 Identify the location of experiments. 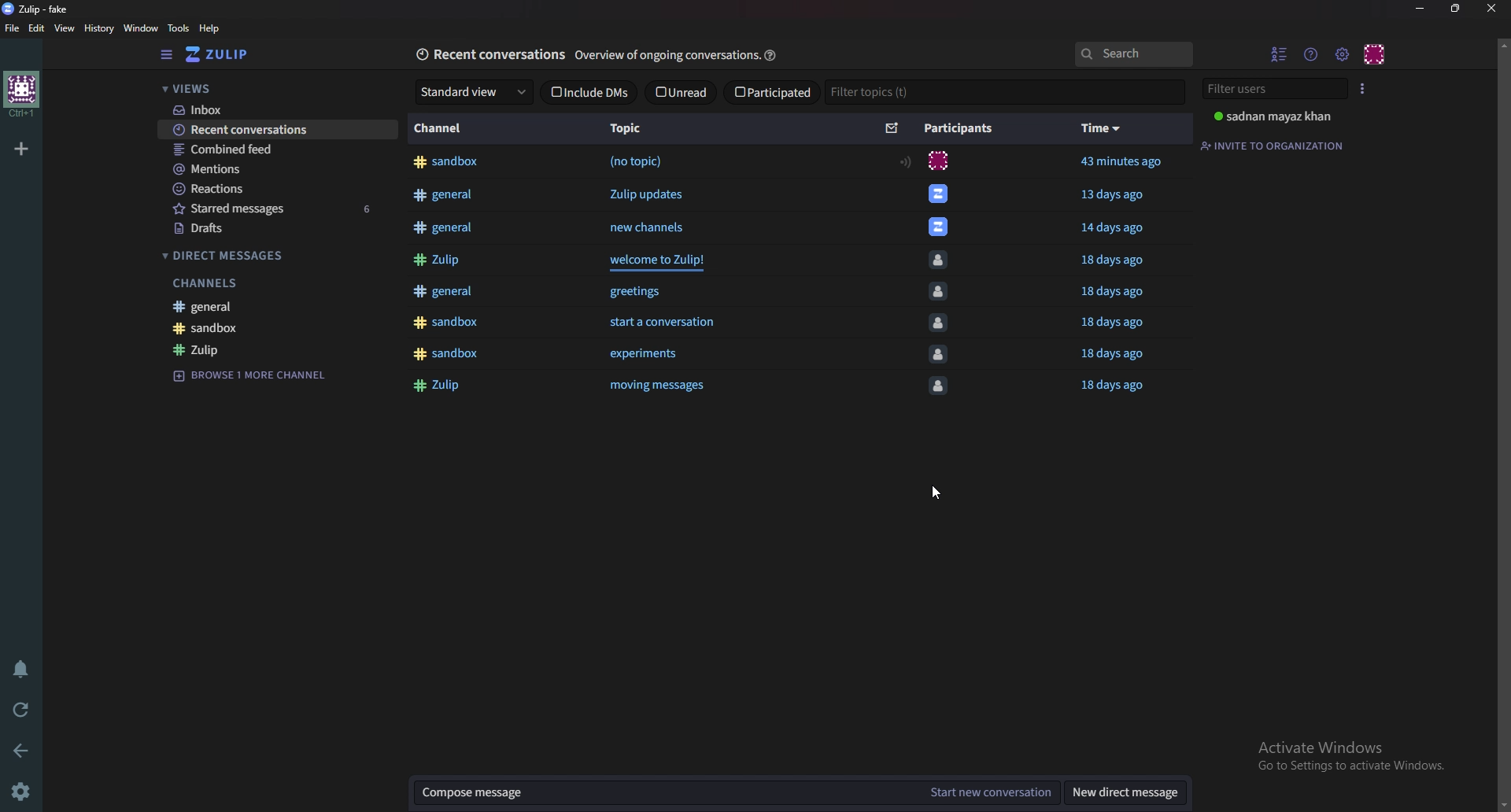
(650, 357).